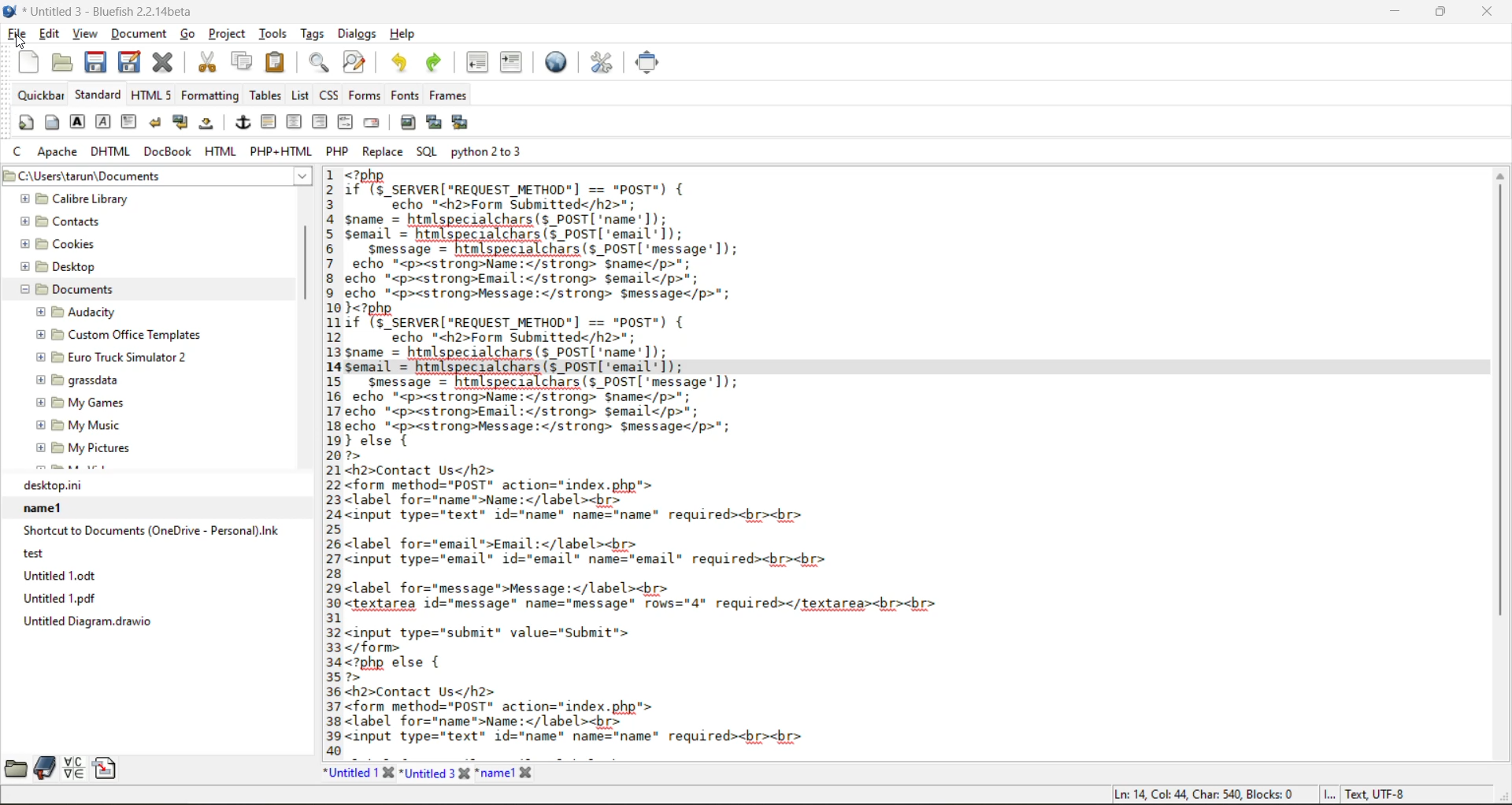 This screenshot has height=805, width=1512. I want to click on break, so click(157, 123).